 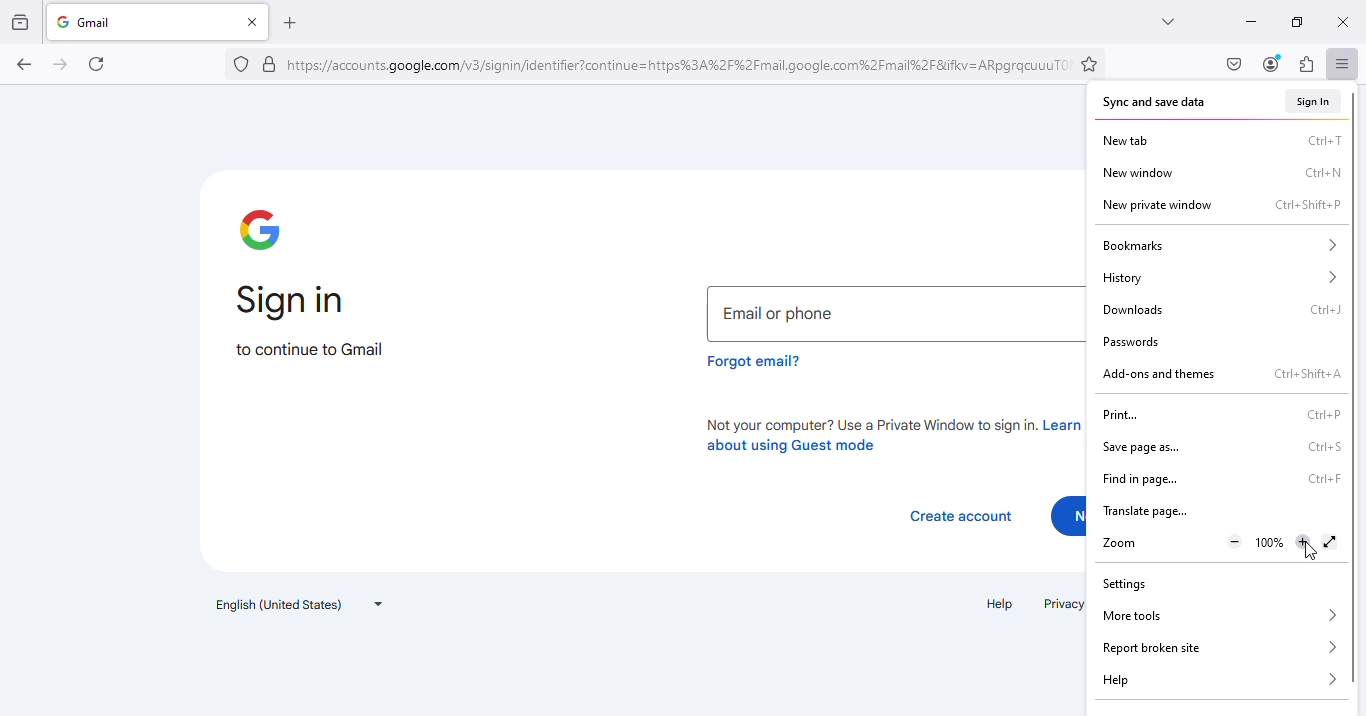 What do you see at coordinates (1219, 278) in the screenshot?
I see `history` at bounding box center [1219, 278].